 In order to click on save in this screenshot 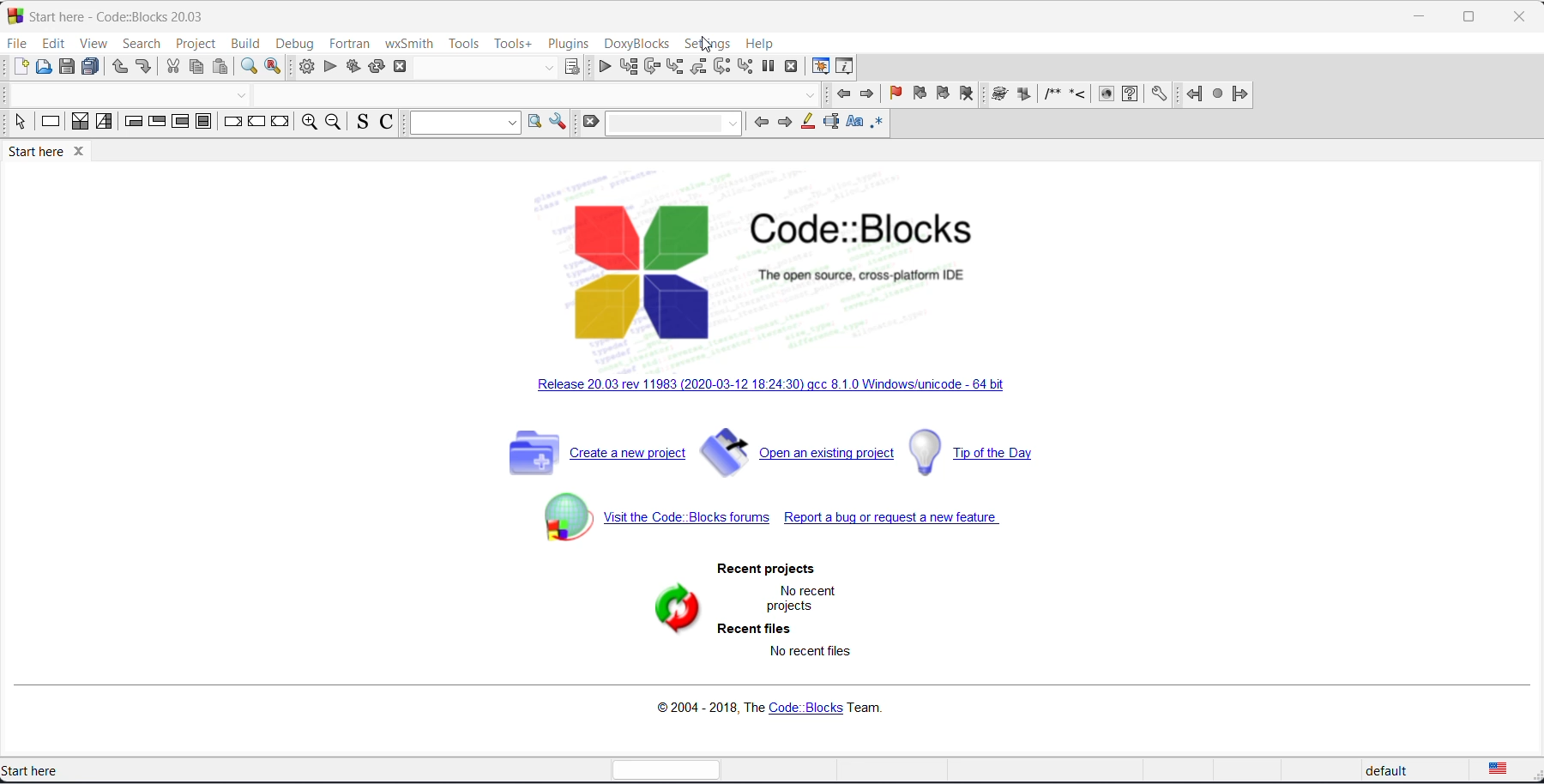, I will do `click(66, 67)`.